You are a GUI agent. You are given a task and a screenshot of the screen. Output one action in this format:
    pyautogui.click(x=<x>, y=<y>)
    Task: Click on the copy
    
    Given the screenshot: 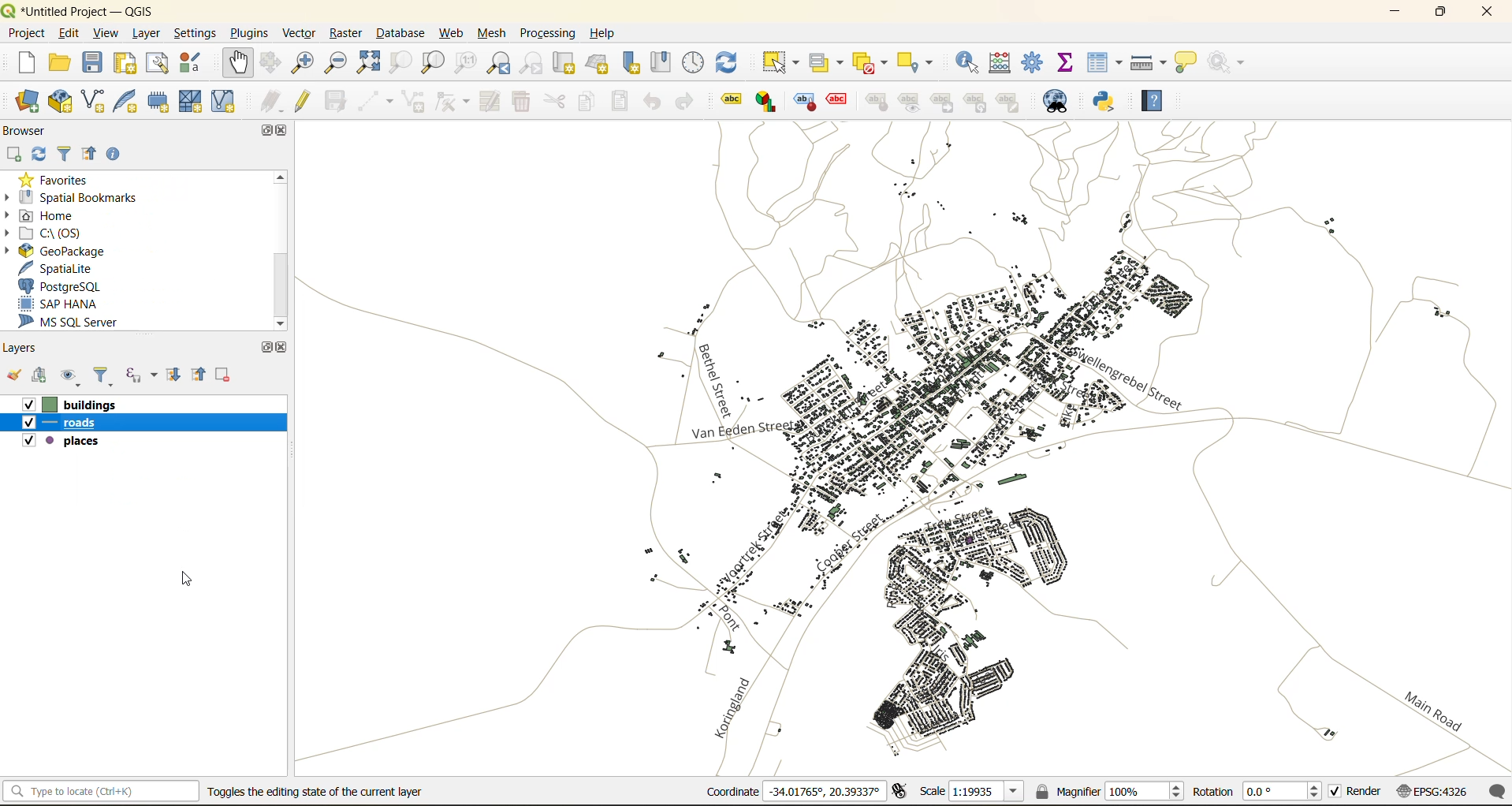 What is the action you would take?
    pyautogui.click(x=583, y=103)
    